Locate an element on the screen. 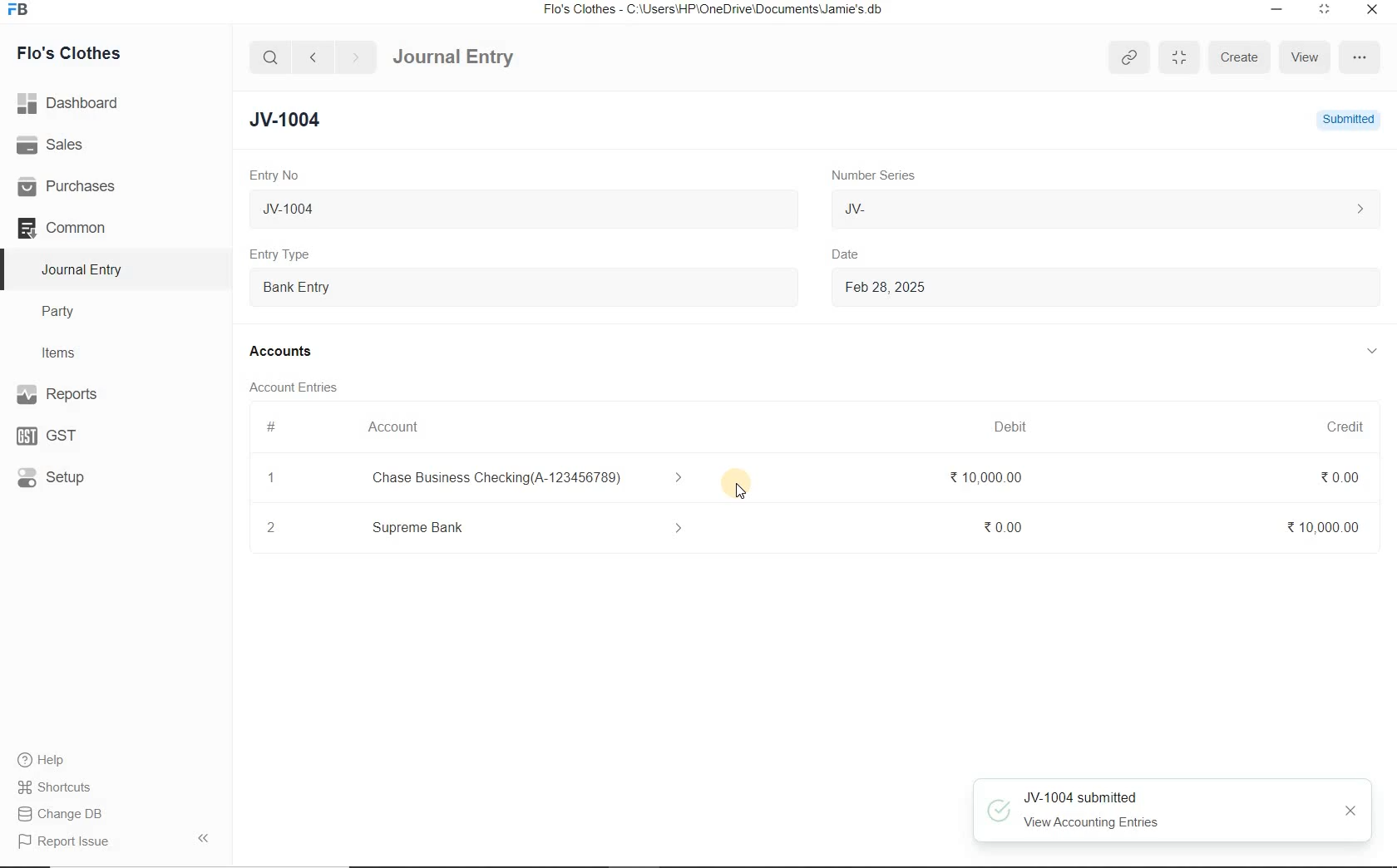  Journal Entry is located at coordinates (483, 55).